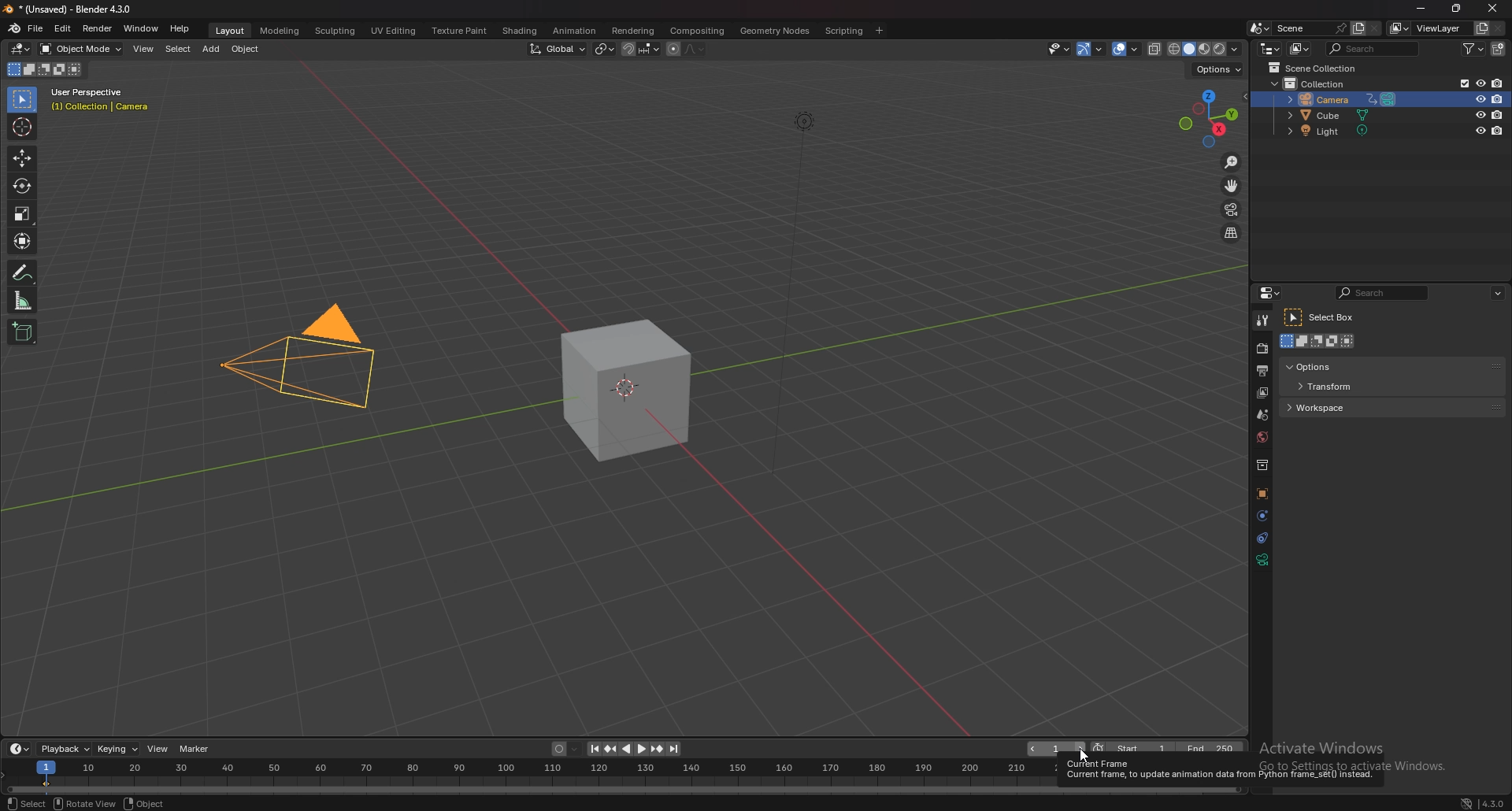 The image size is (1512, 811). Describe the element at coordinates (1132, 750) in the screenshot. I see `start` at that location.